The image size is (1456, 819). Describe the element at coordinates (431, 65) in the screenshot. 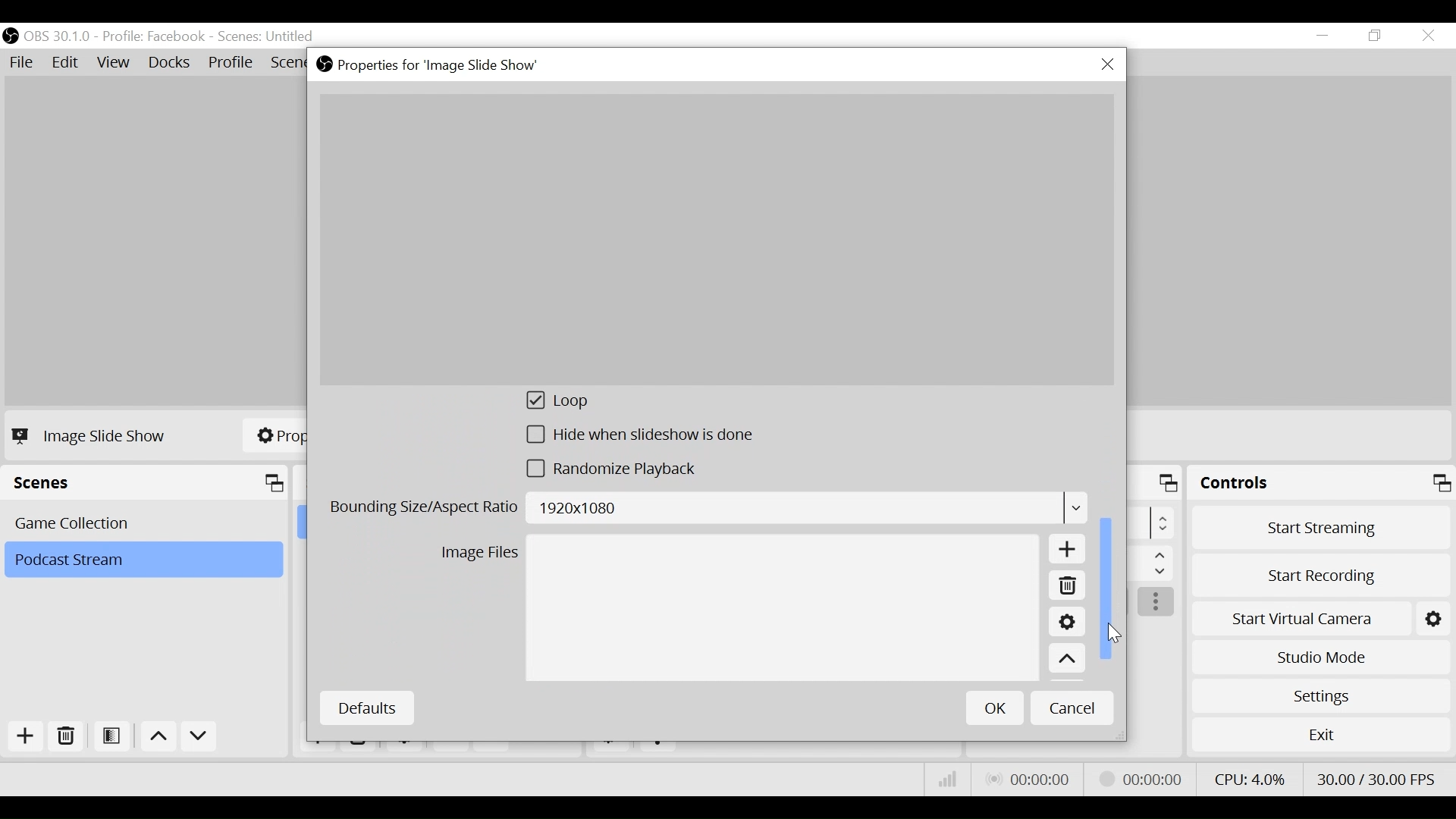

I see `Properties for Image Slideshow` at that location.